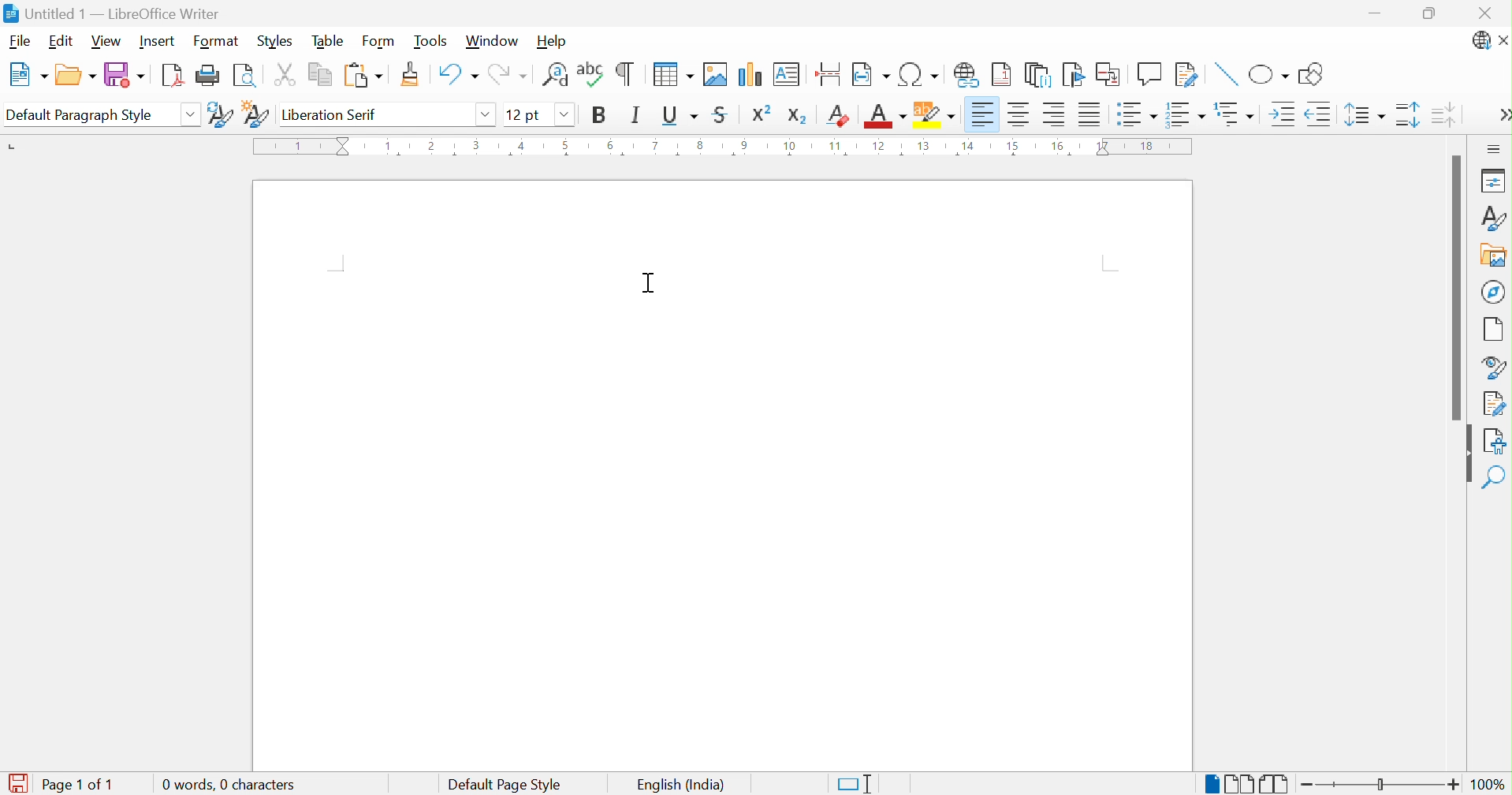 The width and height of the screenshot is (1512, 795). Describe the element at coordinates (885, 115) in the screenshot. I see `Font color` at that location.